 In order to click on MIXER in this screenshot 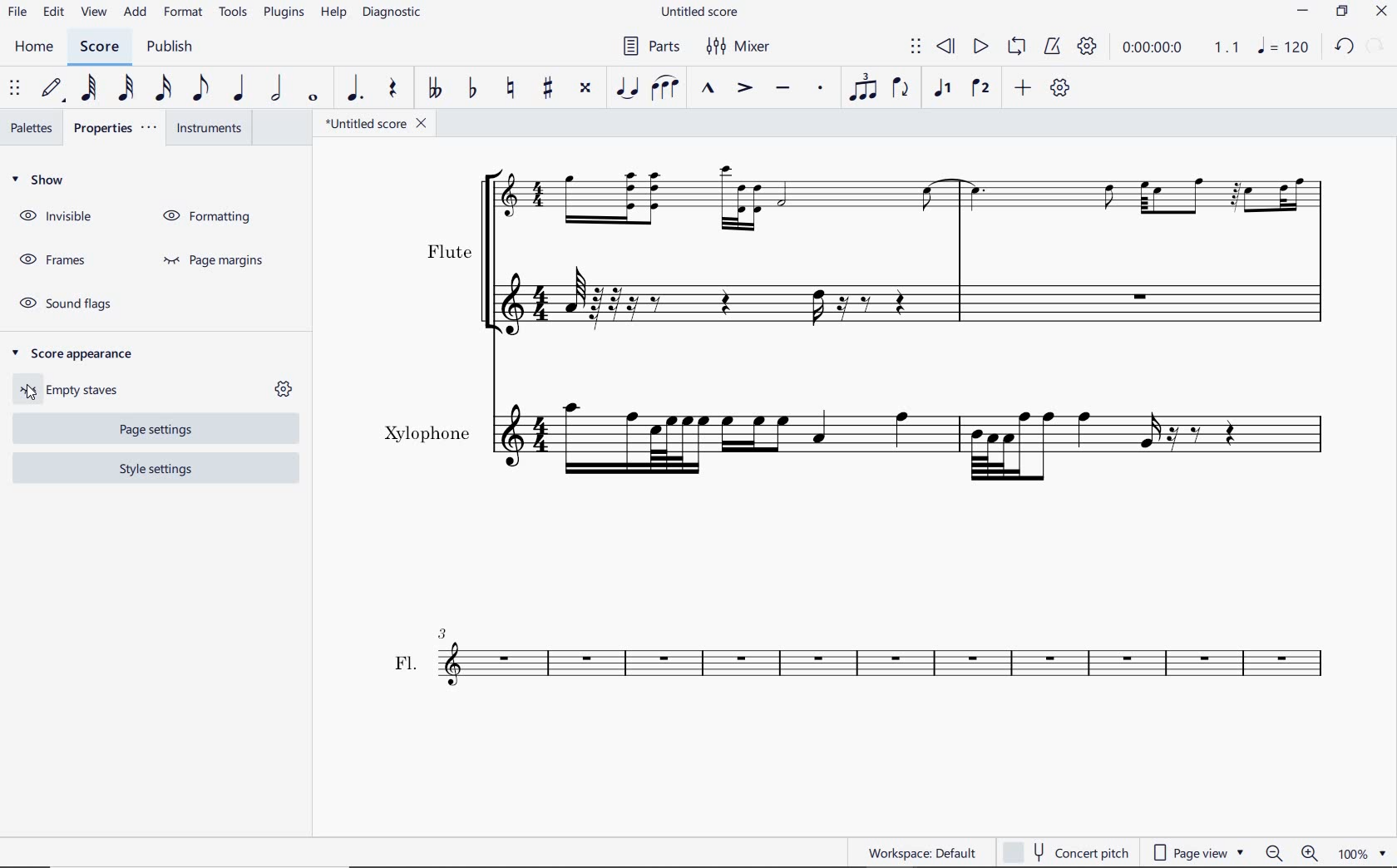, I will do `click(735, 47)`.